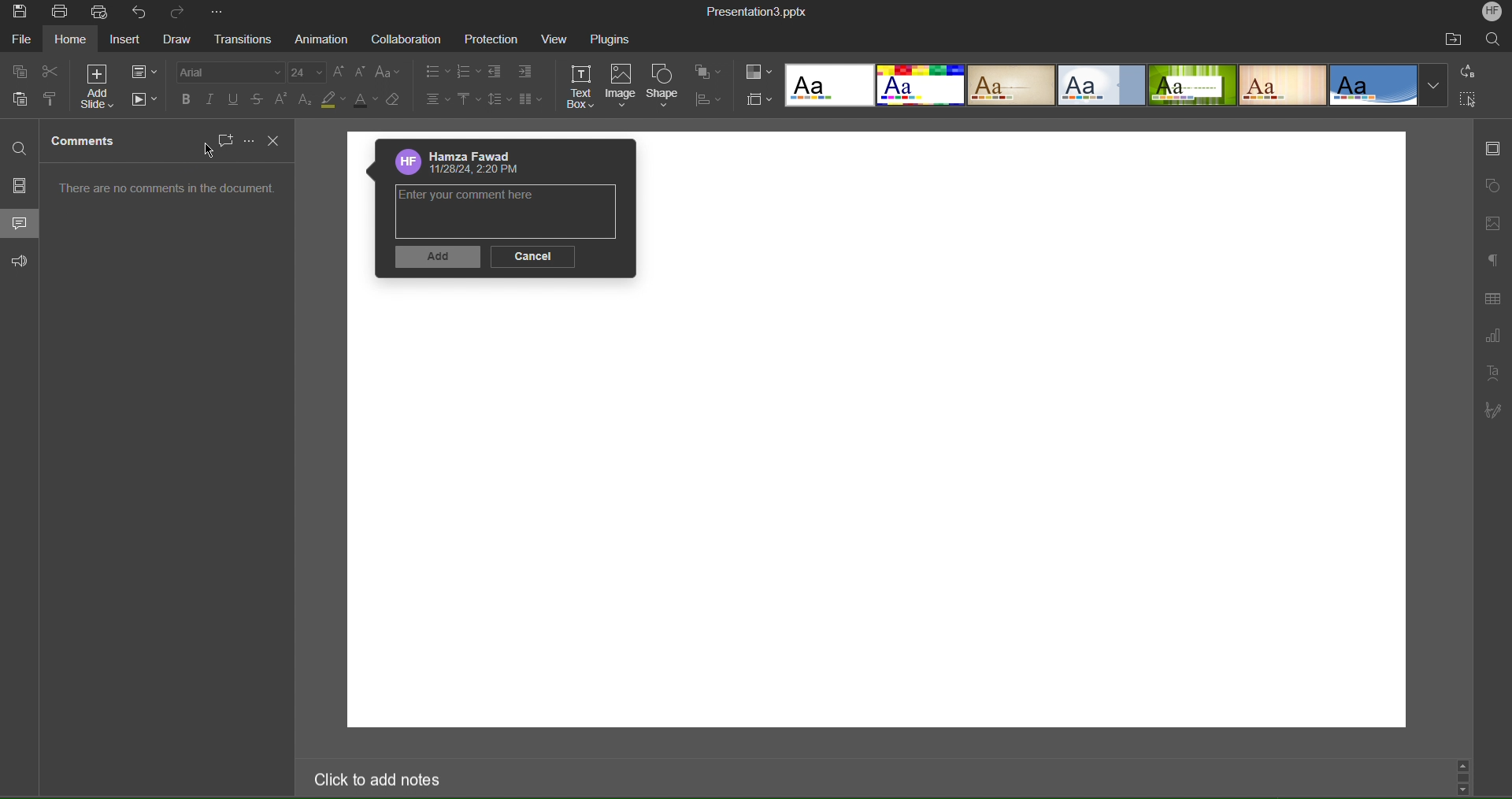  Describe the element at coordinates (331, 101) in the screenshot. I see `Highlight` at that location.